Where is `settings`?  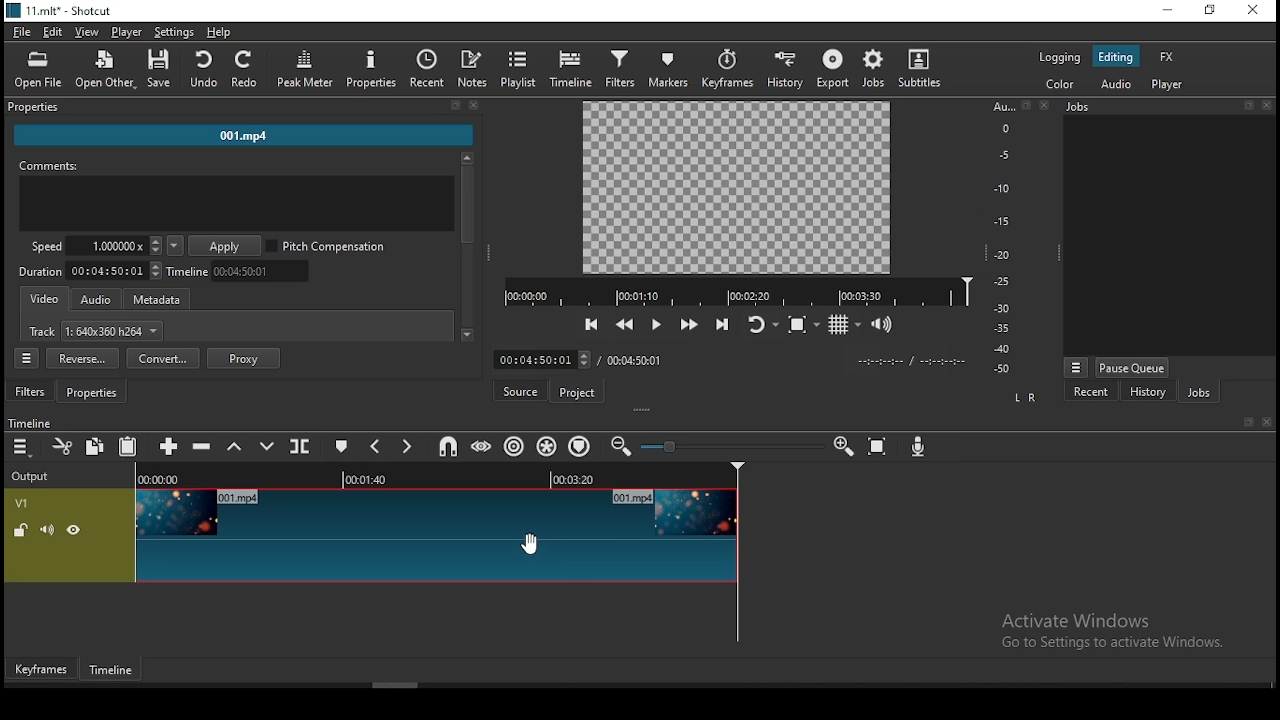 settings is located at coordinates (174, 33).